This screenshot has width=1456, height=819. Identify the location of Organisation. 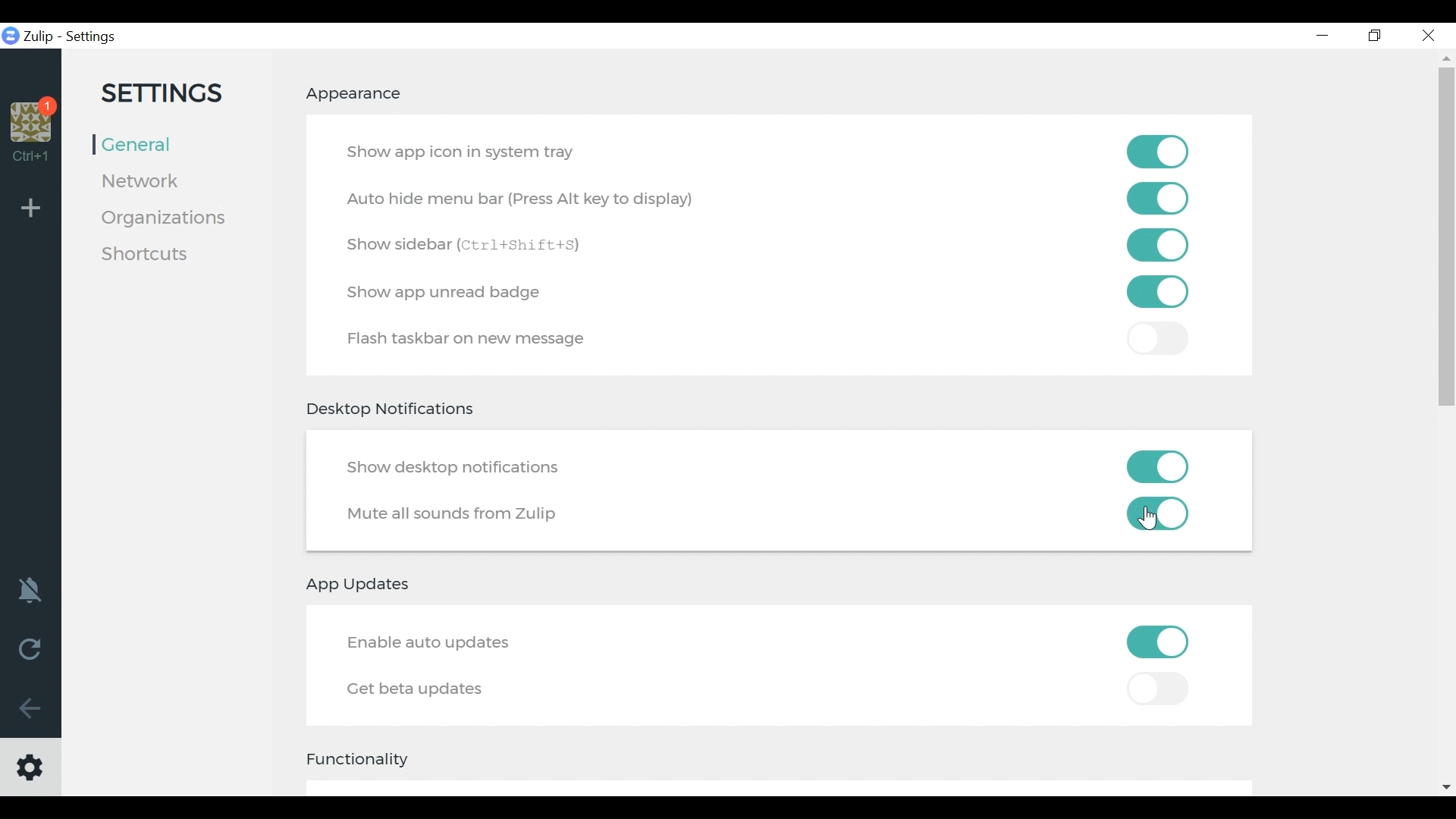
(165, 218).